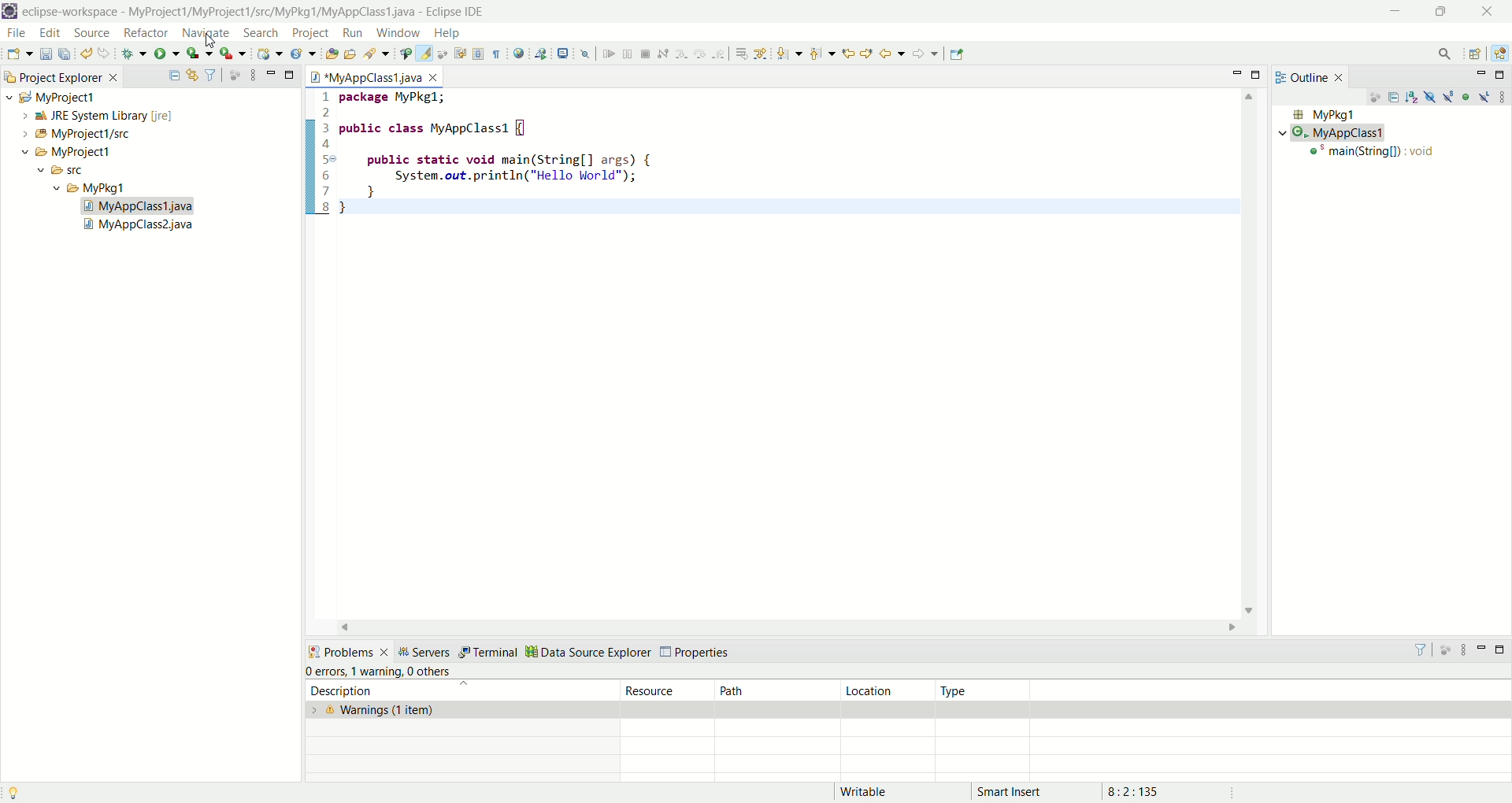 The width and height of the screenshot is (1512, 803). Describe the element at coordinates (1486, 96) in the screenshot. I see `hide local type` at that location.